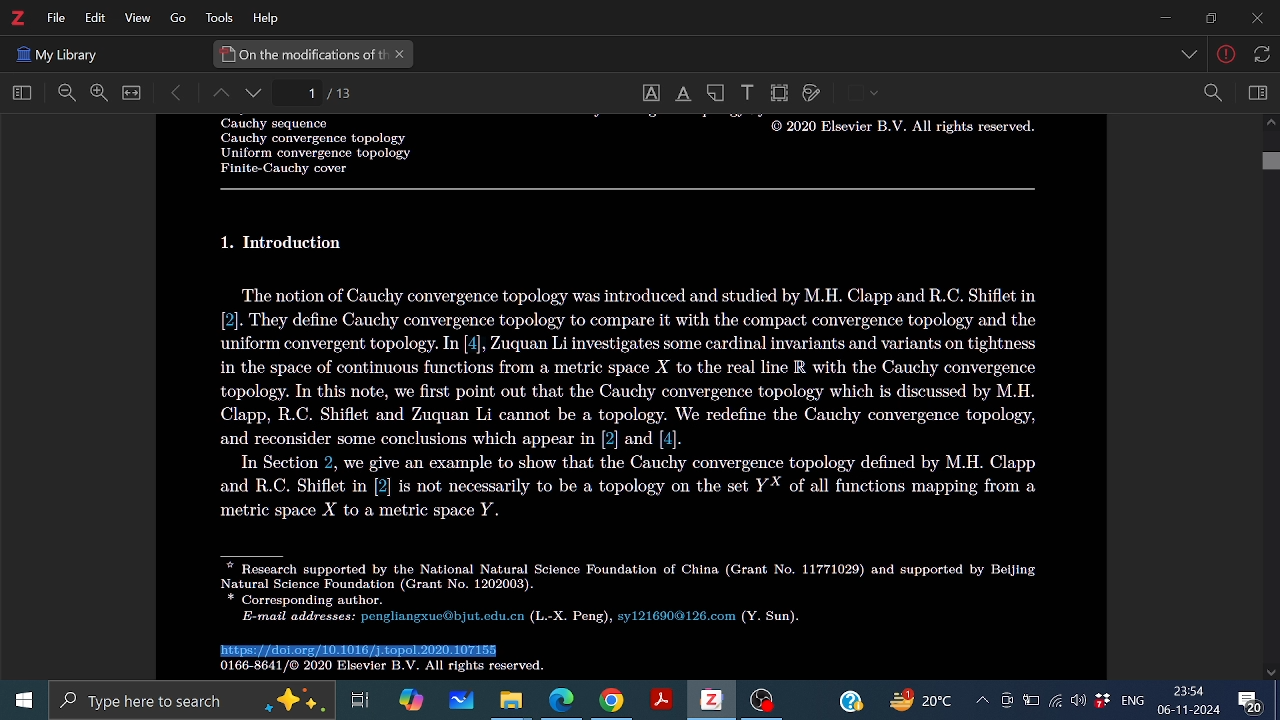  Describe the element at coordinates (1227, 57) in the screenshot. I see `` at that location.